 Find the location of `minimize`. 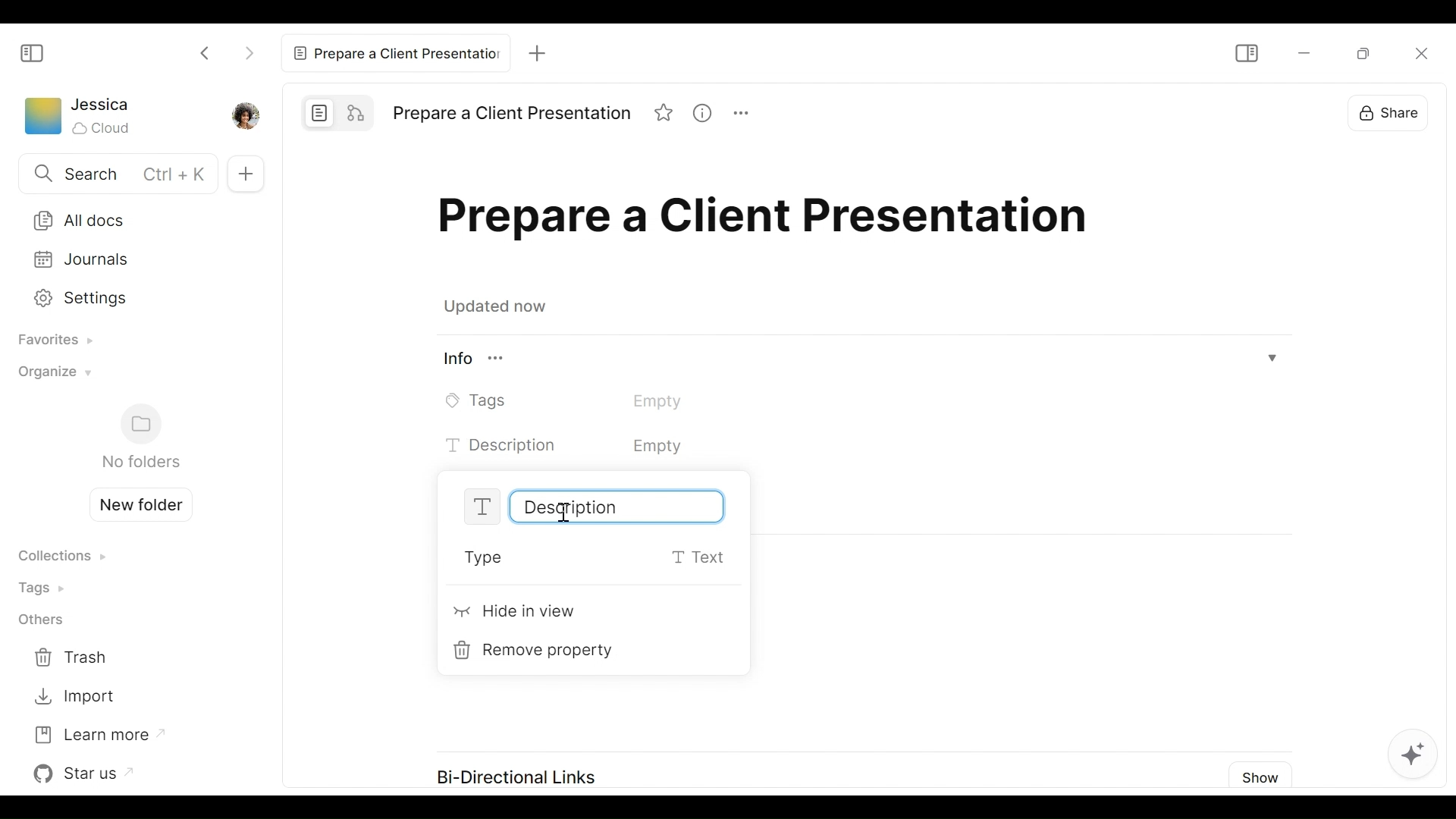

minimize is located at coordinates (1302, 54).